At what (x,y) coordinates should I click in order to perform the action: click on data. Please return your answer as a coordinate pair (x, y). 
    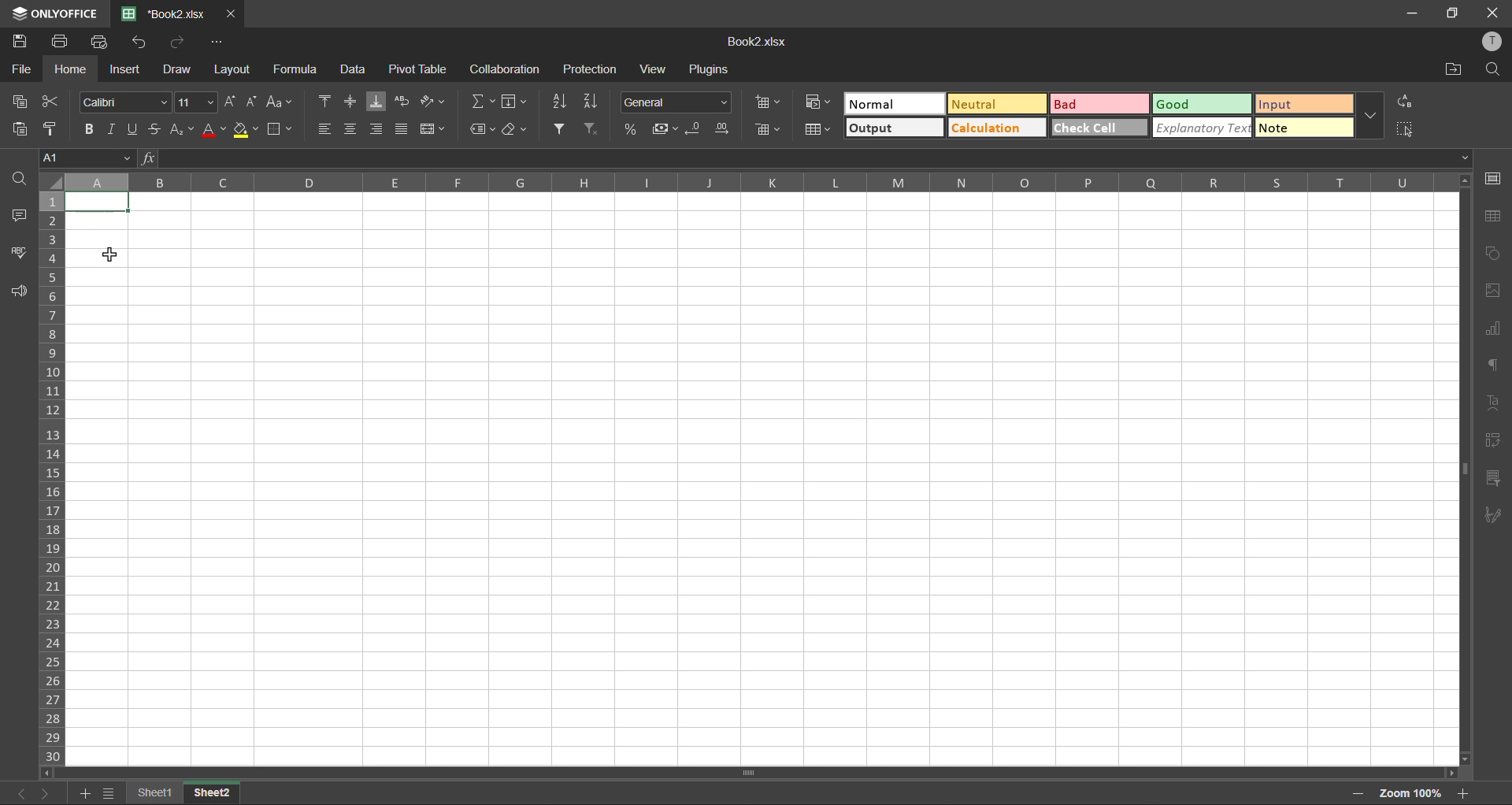
    Looking at the image, I should click on (352, 71).